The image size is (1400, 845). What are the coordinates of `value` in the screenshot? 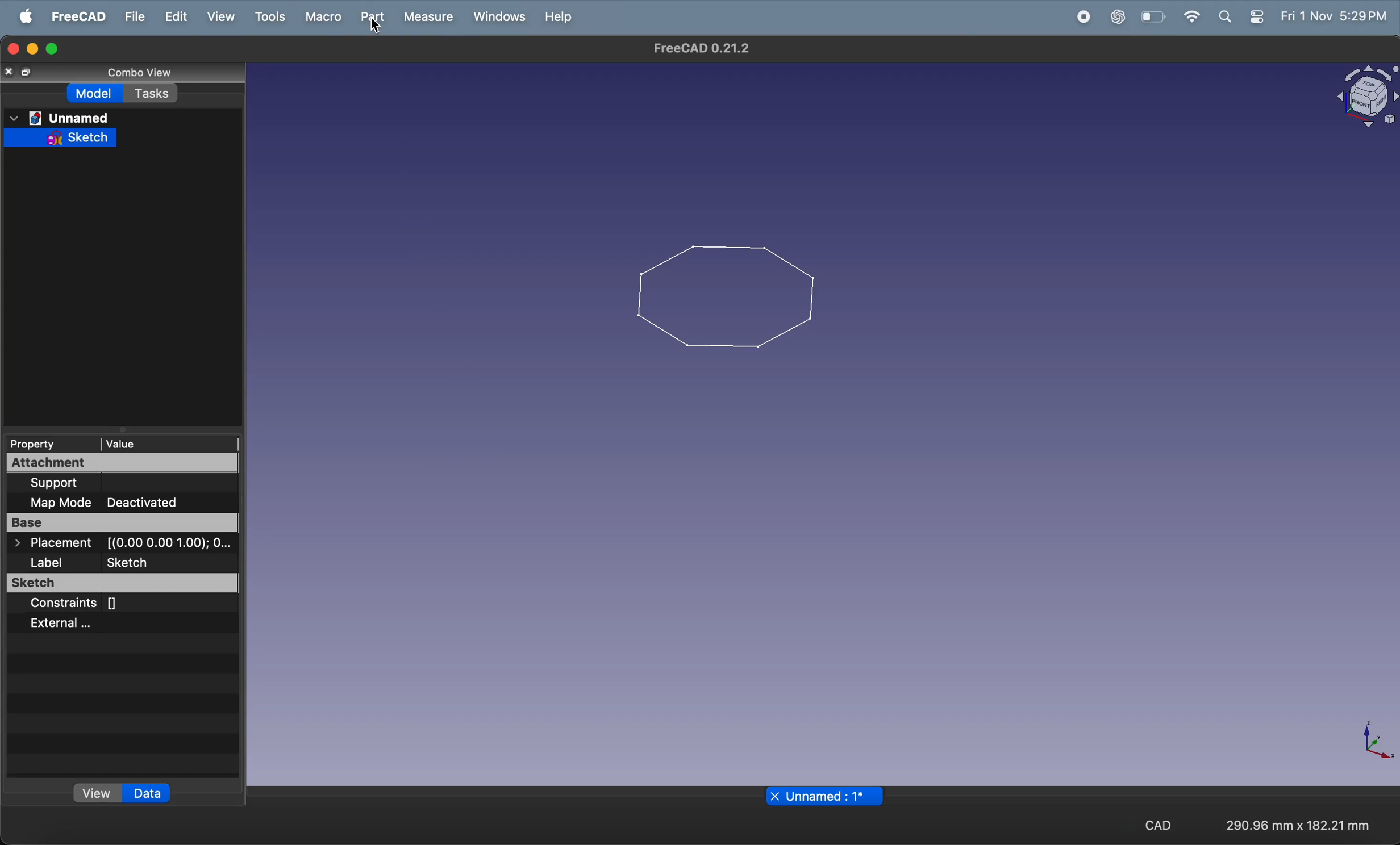 It's located at (162, 444).